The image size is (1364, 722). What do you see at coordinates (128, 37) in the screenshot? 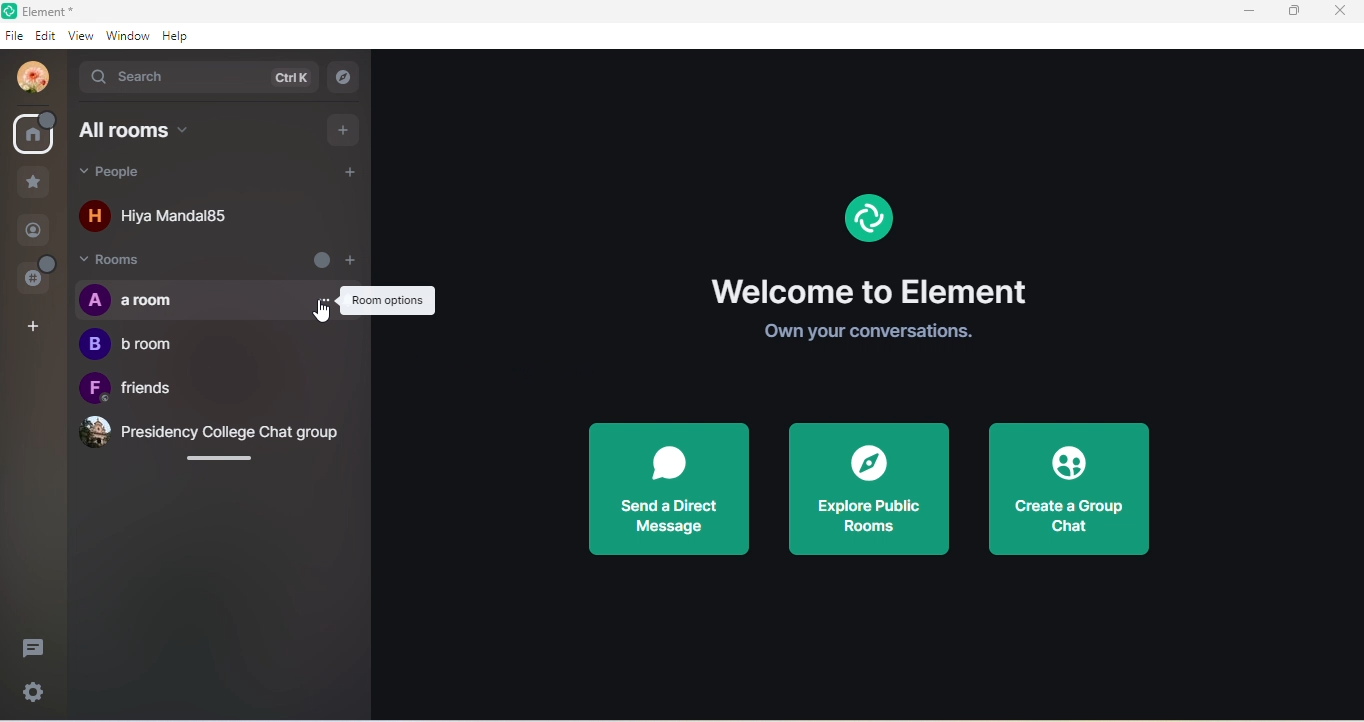
I see `window` at bounding box center [128, 37].